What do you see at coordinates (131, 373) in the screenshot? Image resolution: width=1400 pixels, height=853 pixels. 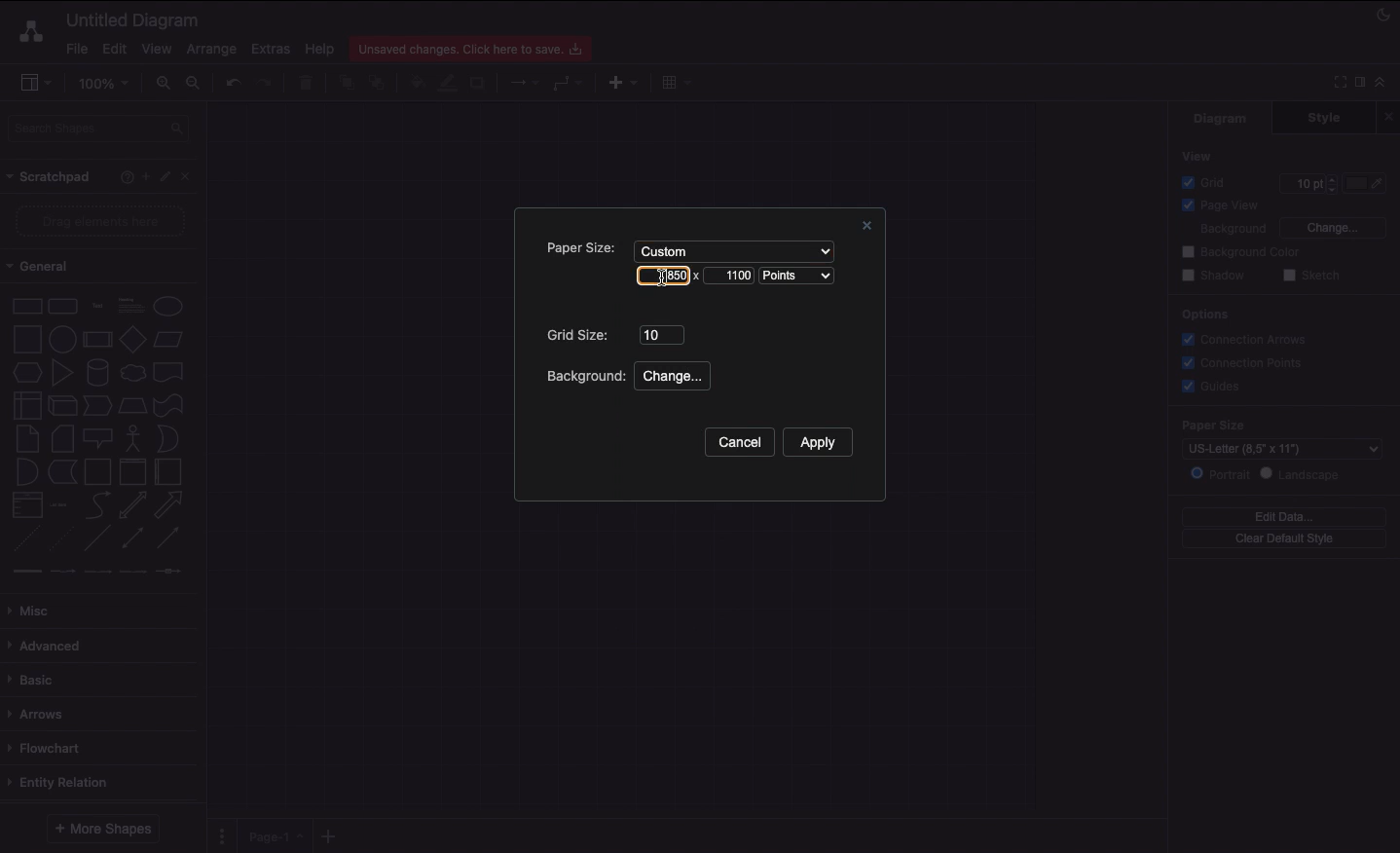 I see `Cloud` at bounding box center [131, 373].